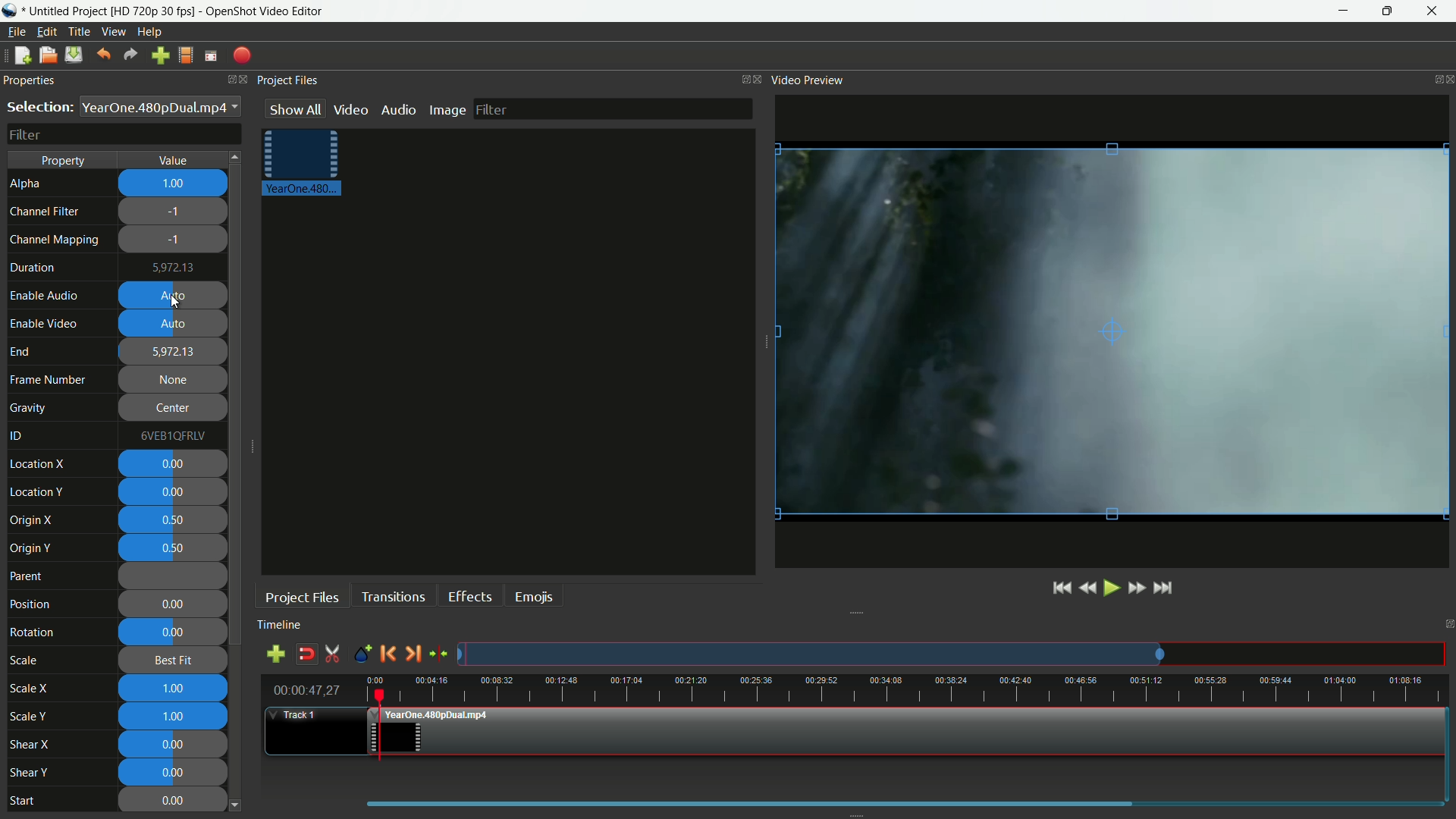 This screenshot has height=819, width=1456. Describe the element at coordinates (301, 164) in the screenshot. I see `project file` at that location.